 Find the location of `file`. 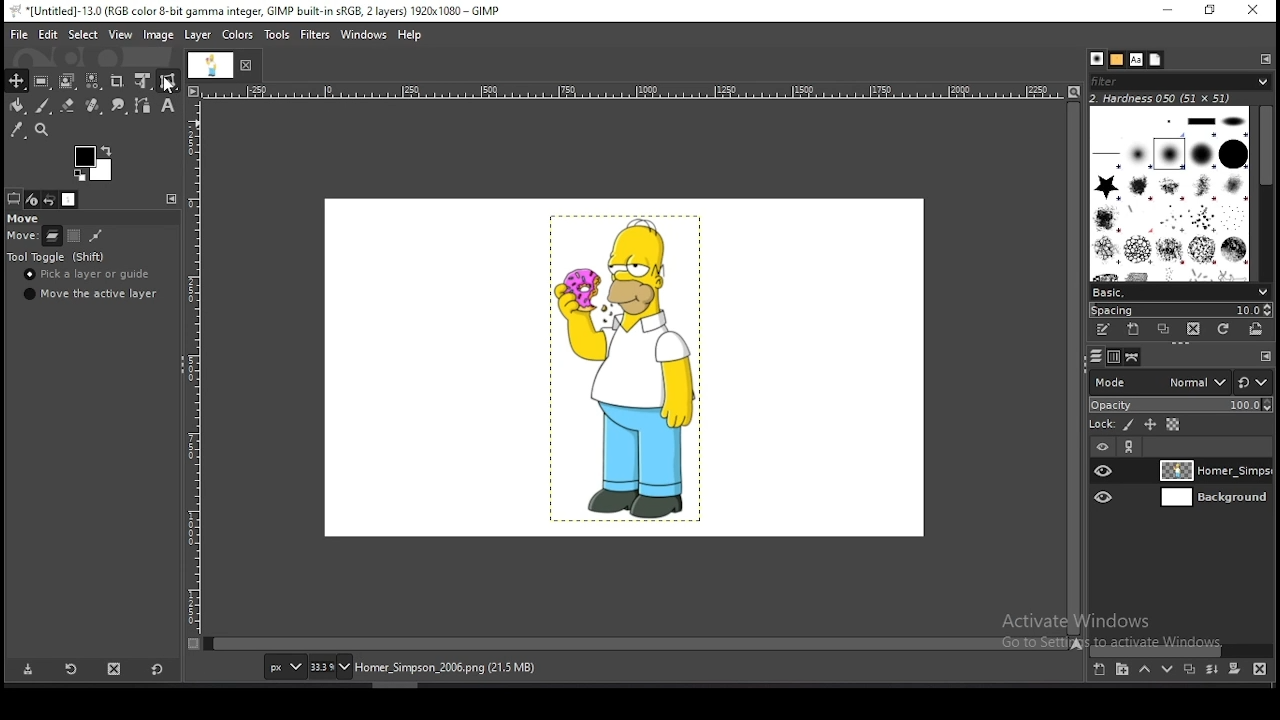

file is located at coordinates (19, 33).